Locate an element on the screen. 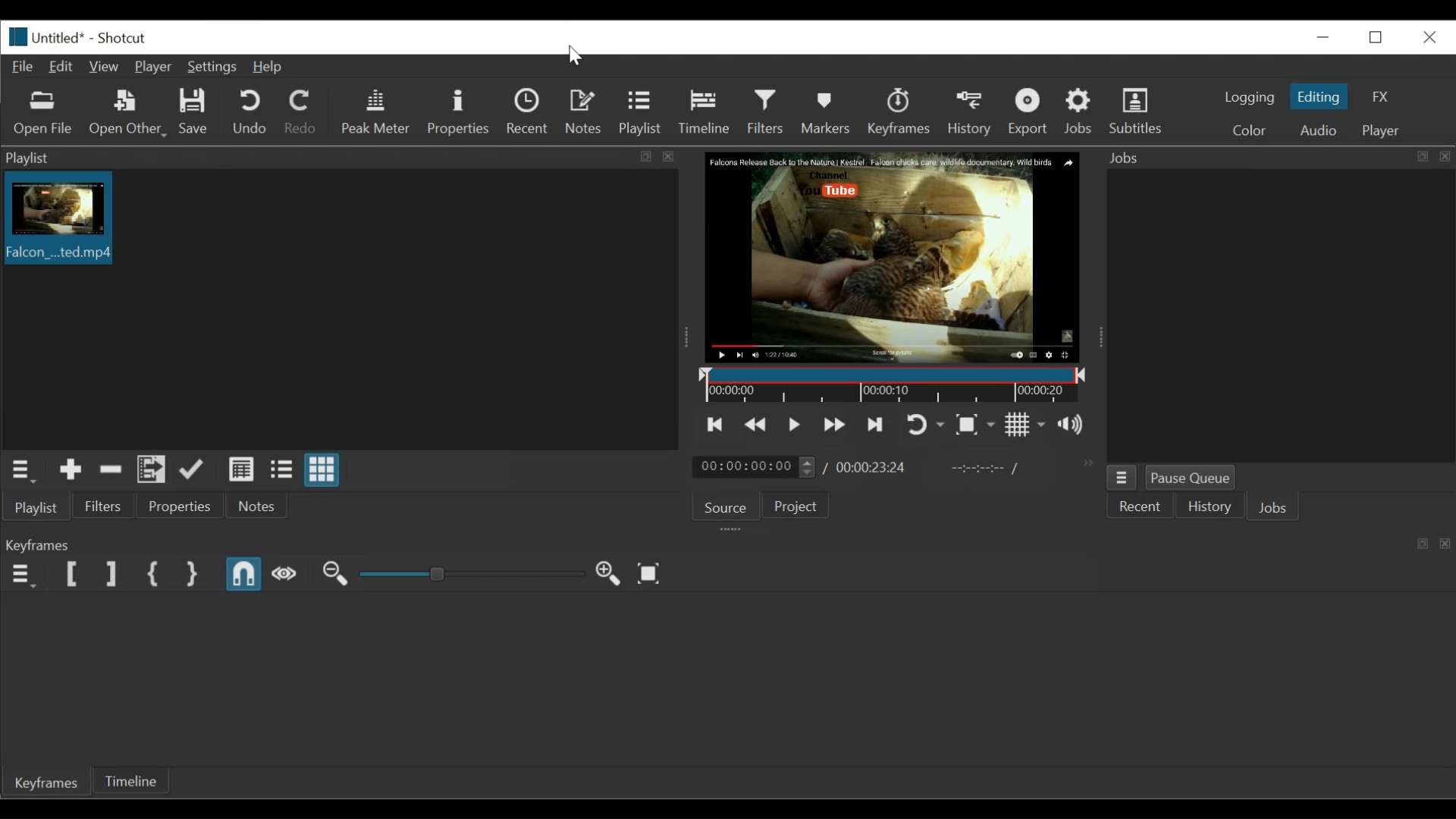  Edit is located at coordinates (62, 67).